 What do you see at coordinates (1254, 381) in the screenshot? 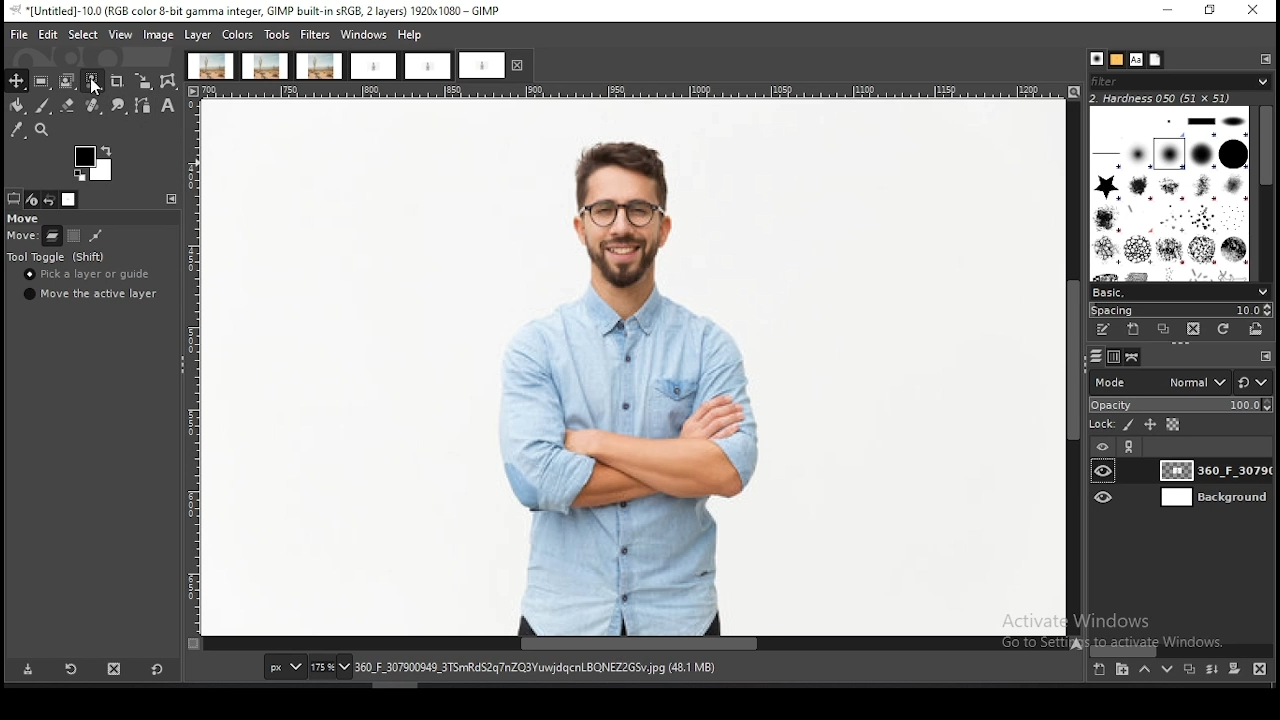
I see `reset` at bounding box center [1254, 381].